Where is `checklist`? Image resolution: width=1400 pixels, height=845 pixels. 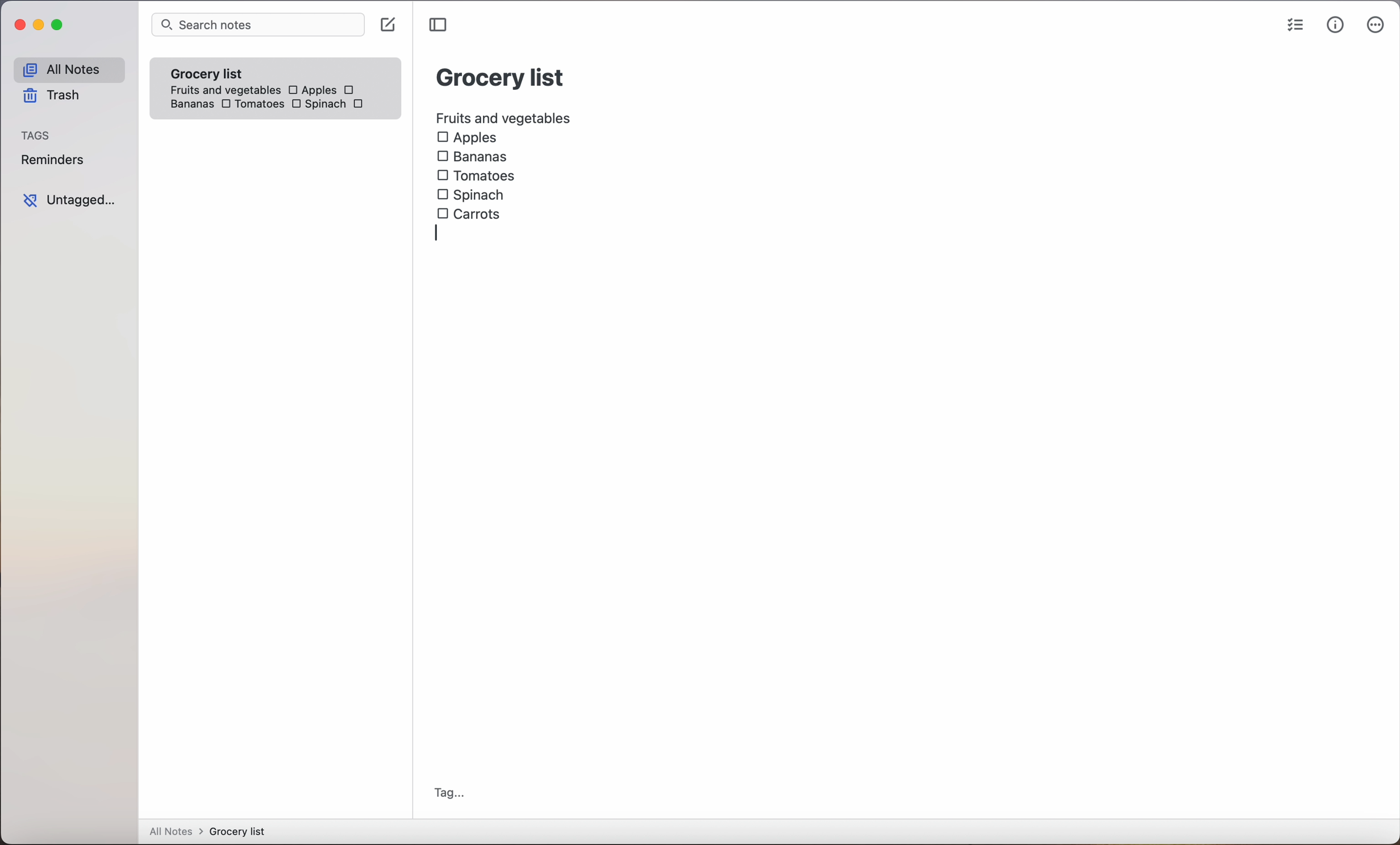
checklist is located at coordinates (1293, 27).